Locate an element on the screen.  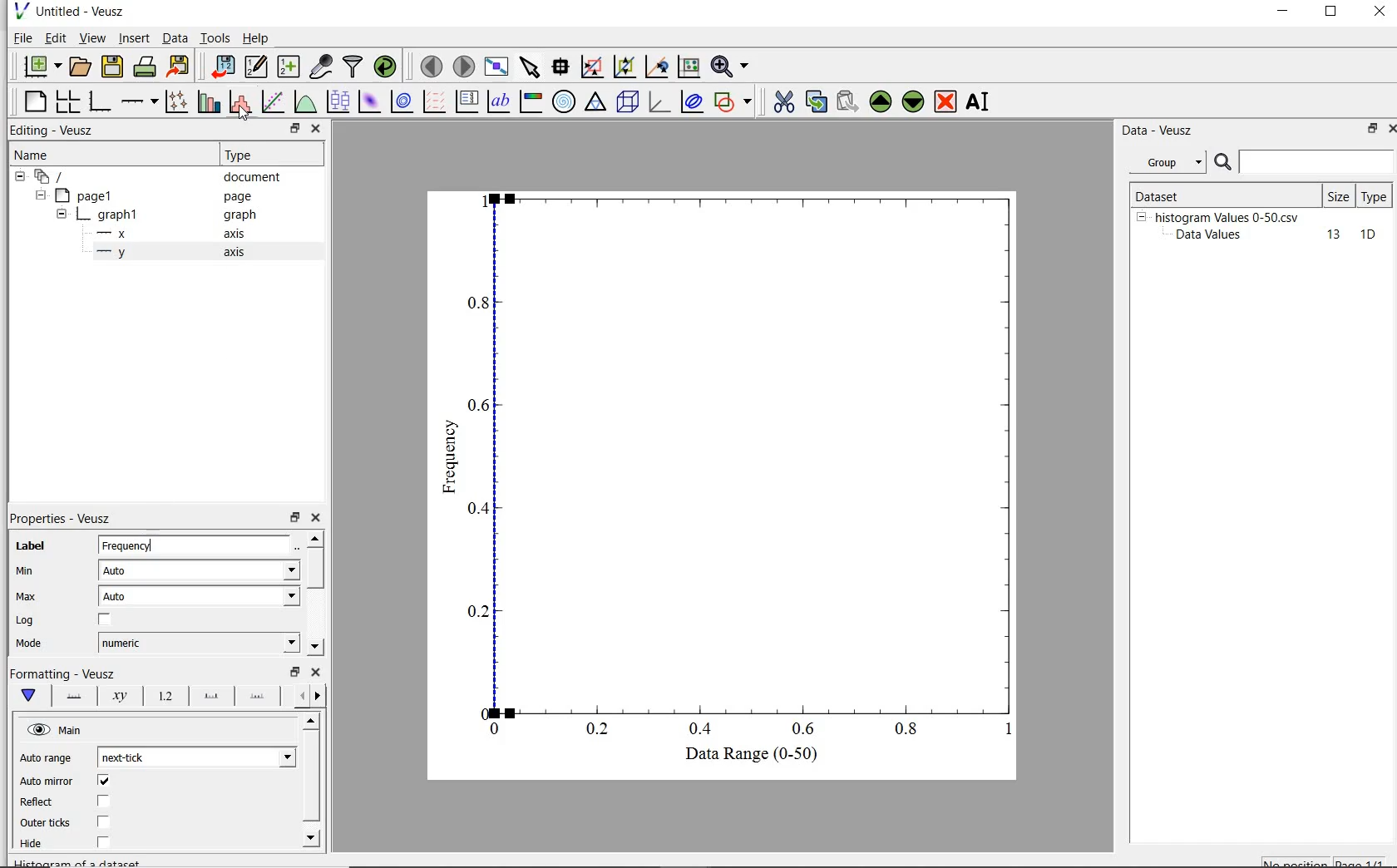
 Auto range is located at coordinates (47, 759).